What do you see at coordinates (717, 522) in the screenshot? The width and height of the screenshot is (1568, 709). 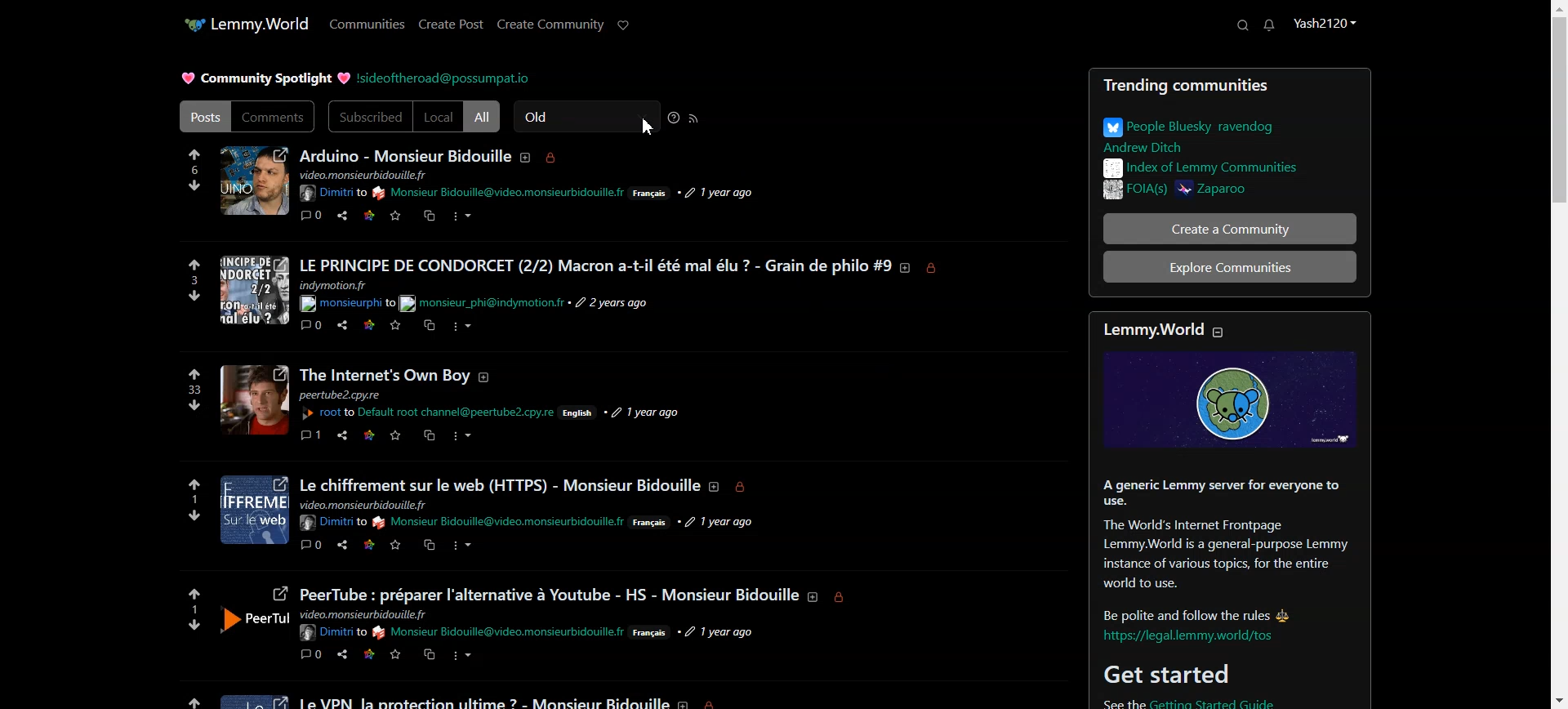 I see `` at bounding box center [717, 522].